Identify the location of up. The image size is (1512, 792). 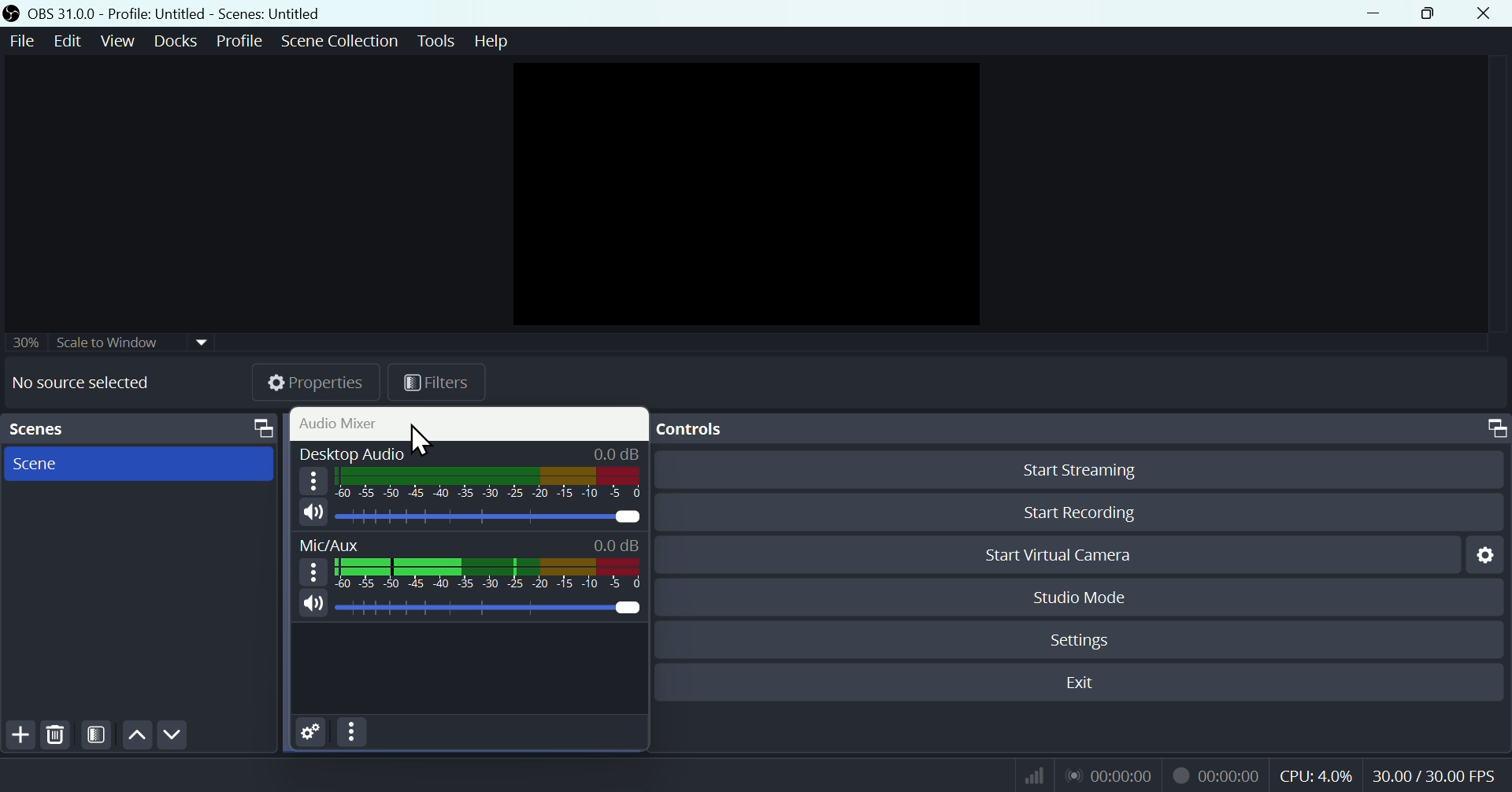
(136, 734).